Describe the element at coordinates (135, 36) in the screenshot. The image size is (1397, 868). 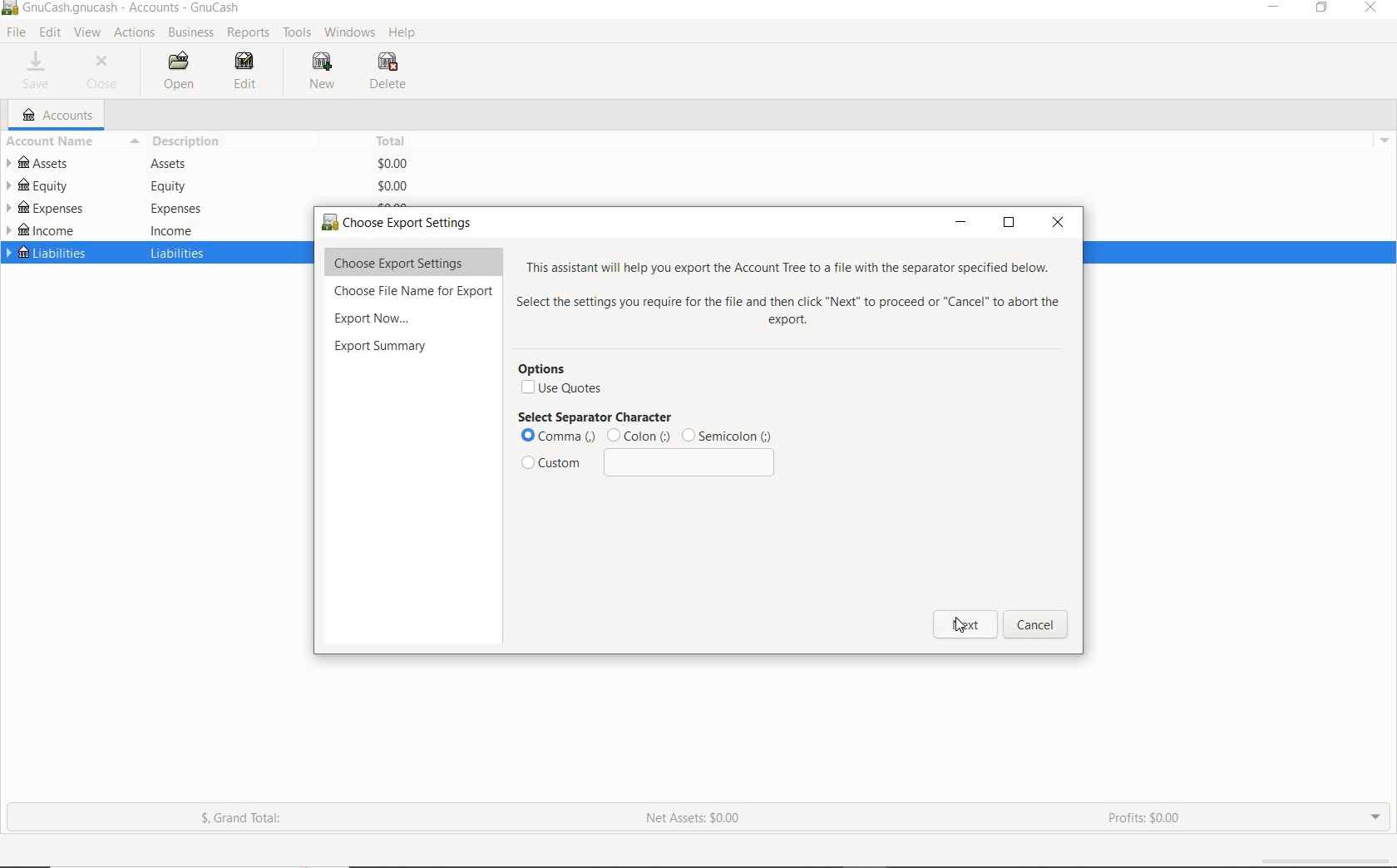
I see `ACTIONS` at that location.